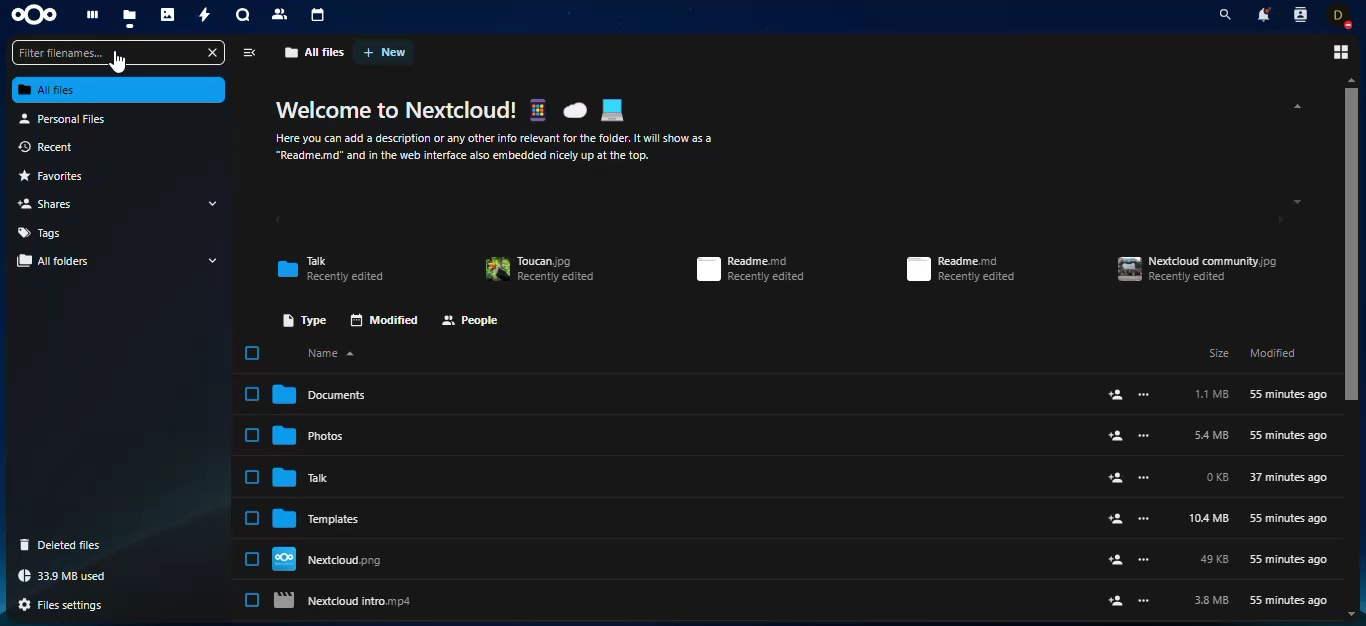 This screenshot has height=626, width=1366. What do you see at coordinates (252, 599) in the screenshot?
I see `Click to select` at bounding box center [252, 599].